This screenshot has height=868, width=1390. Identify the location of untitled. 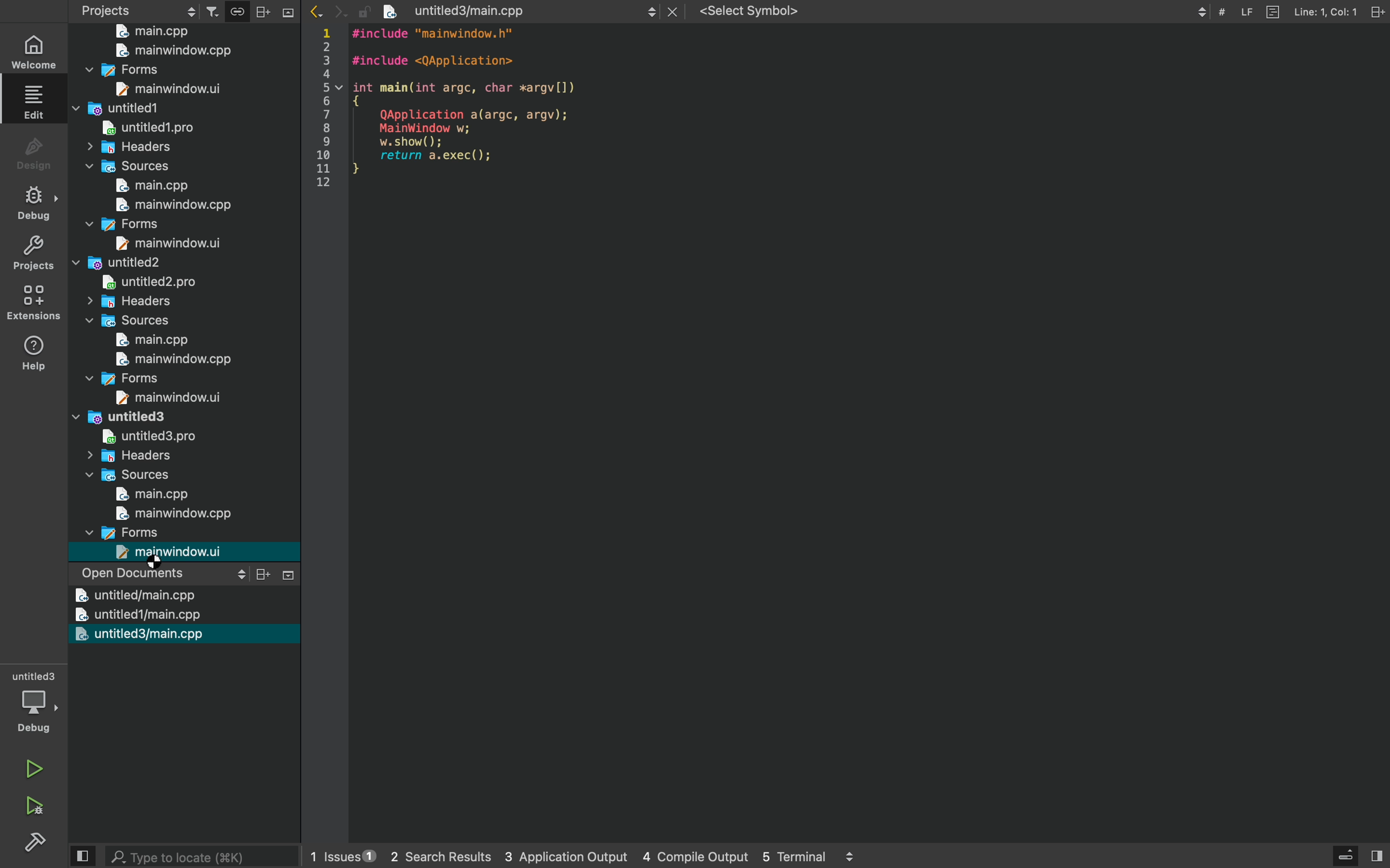
(141, 456).